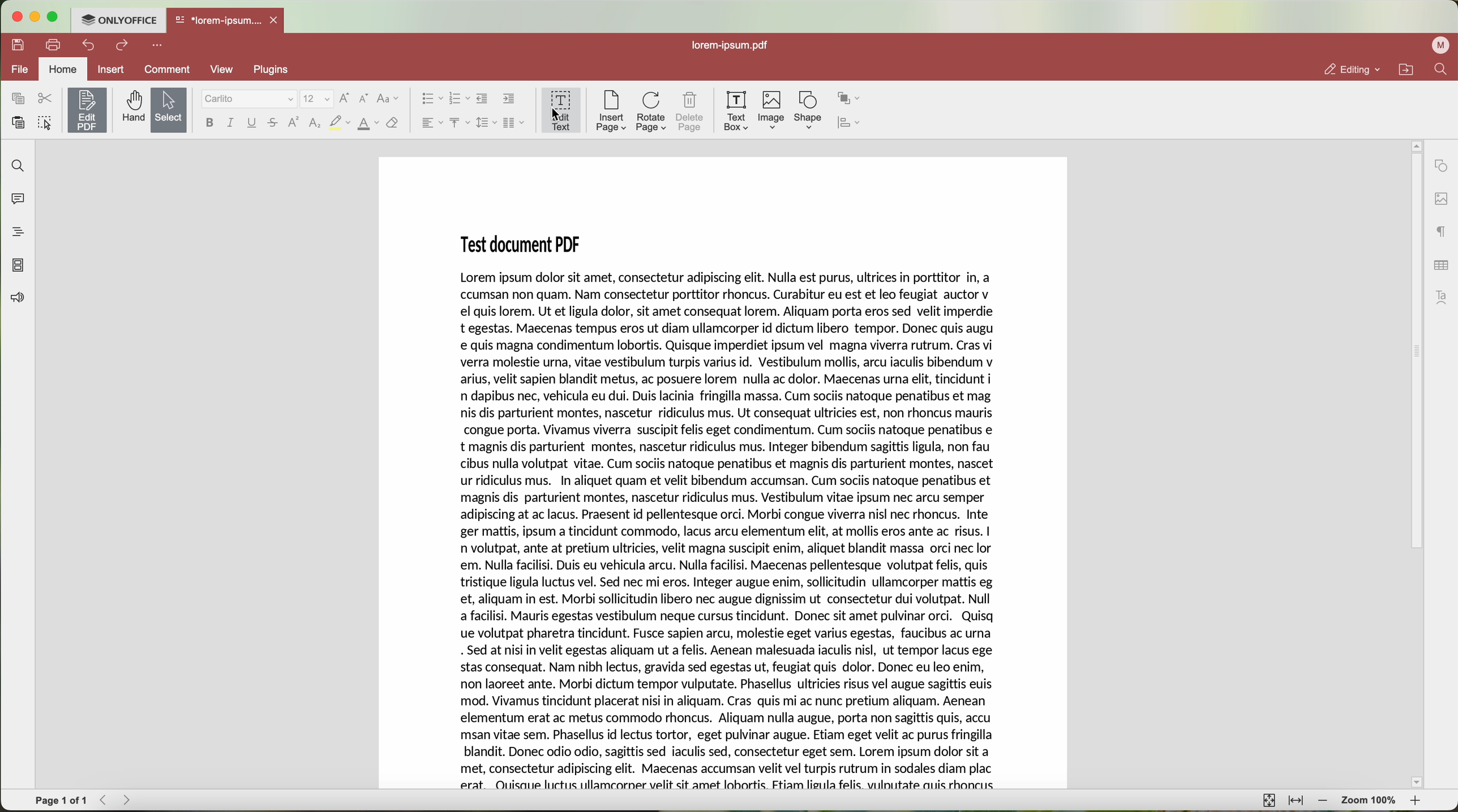  I want to click on heading, so click(17, 229).